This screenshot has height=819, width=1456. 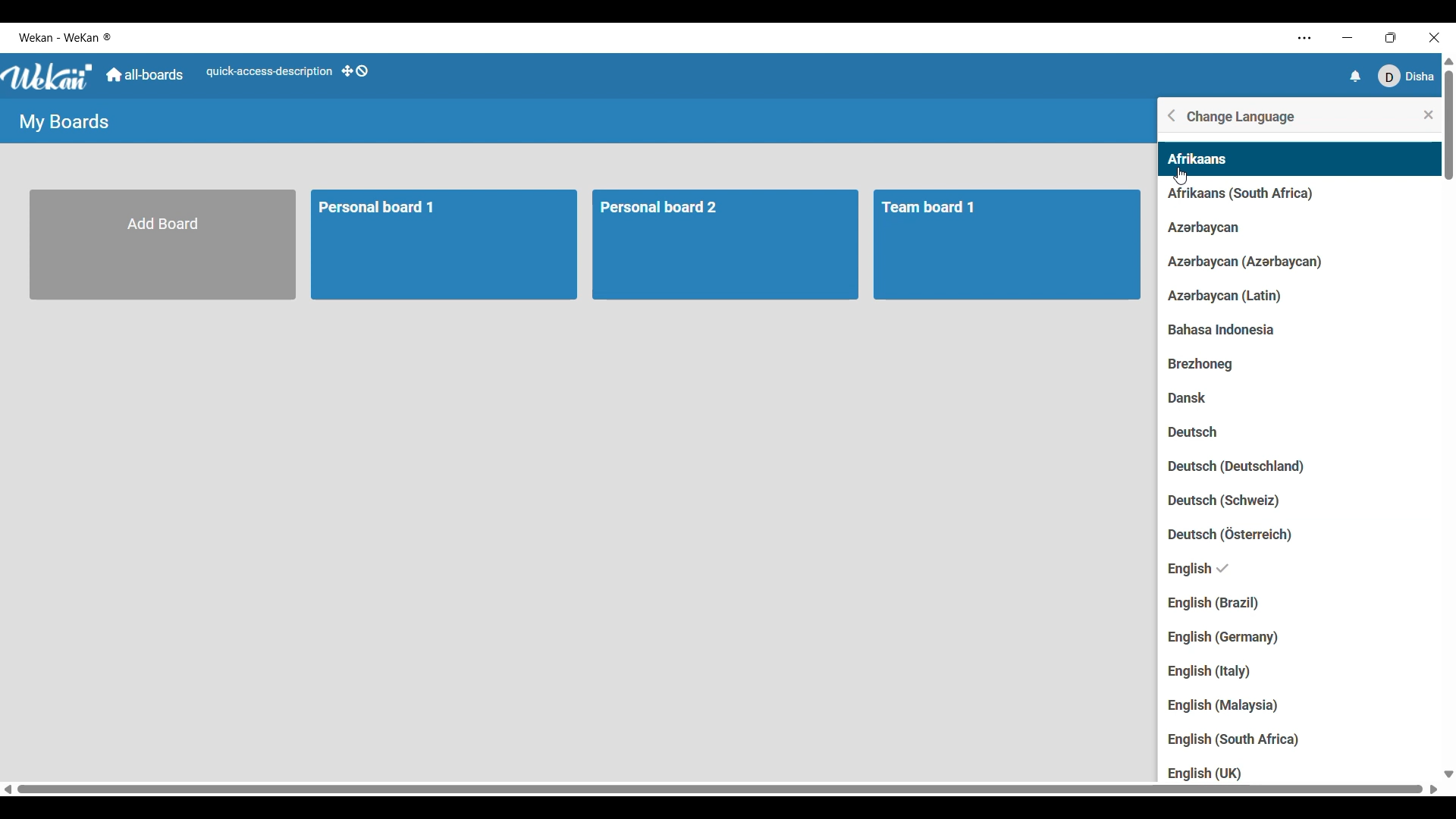 I want to click on Deutsch (Osterreich), so click(x=1239, y=533).